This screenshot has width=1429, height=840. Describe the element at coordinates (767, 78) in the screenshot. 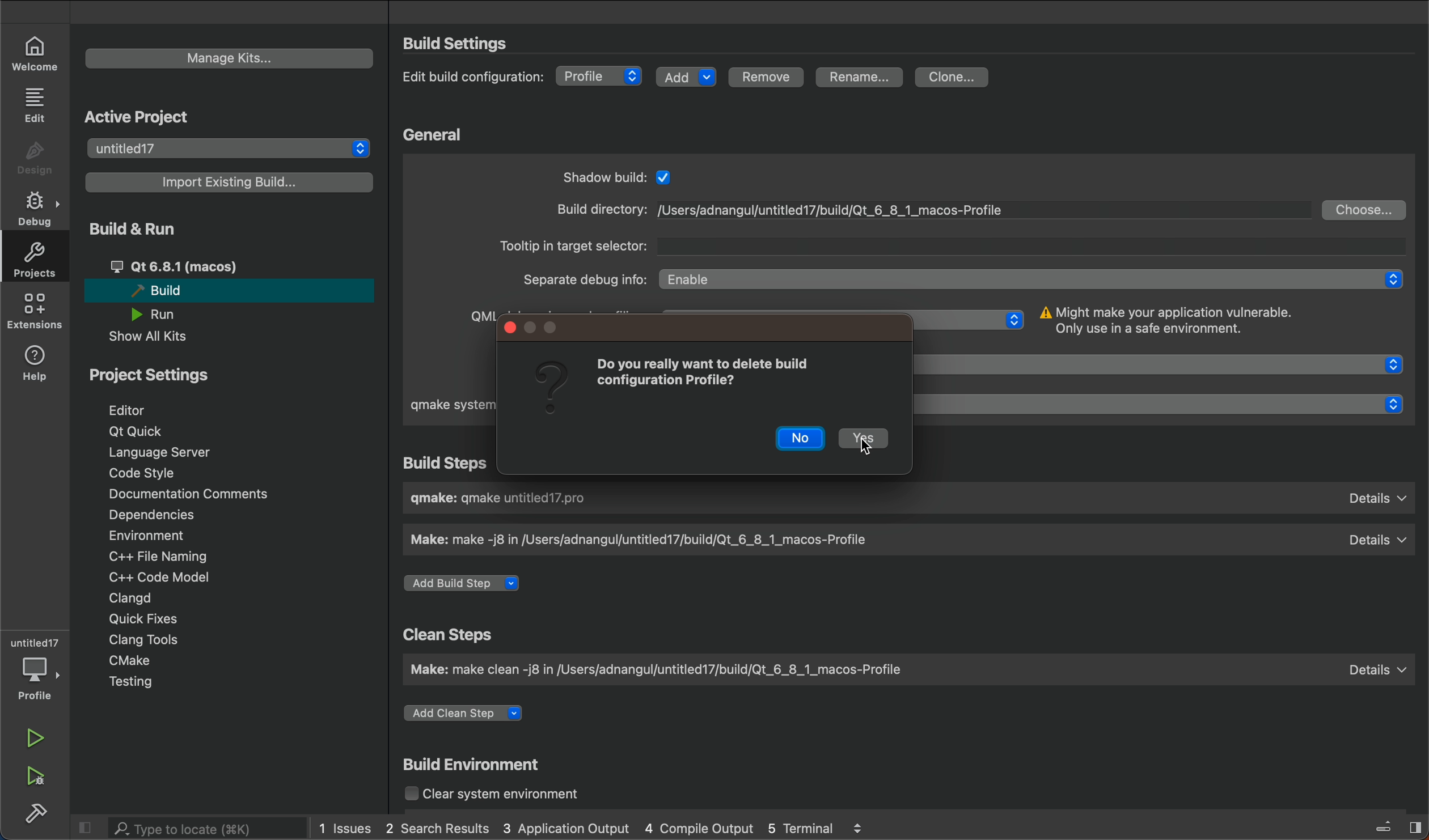

I see `remove` at that location.